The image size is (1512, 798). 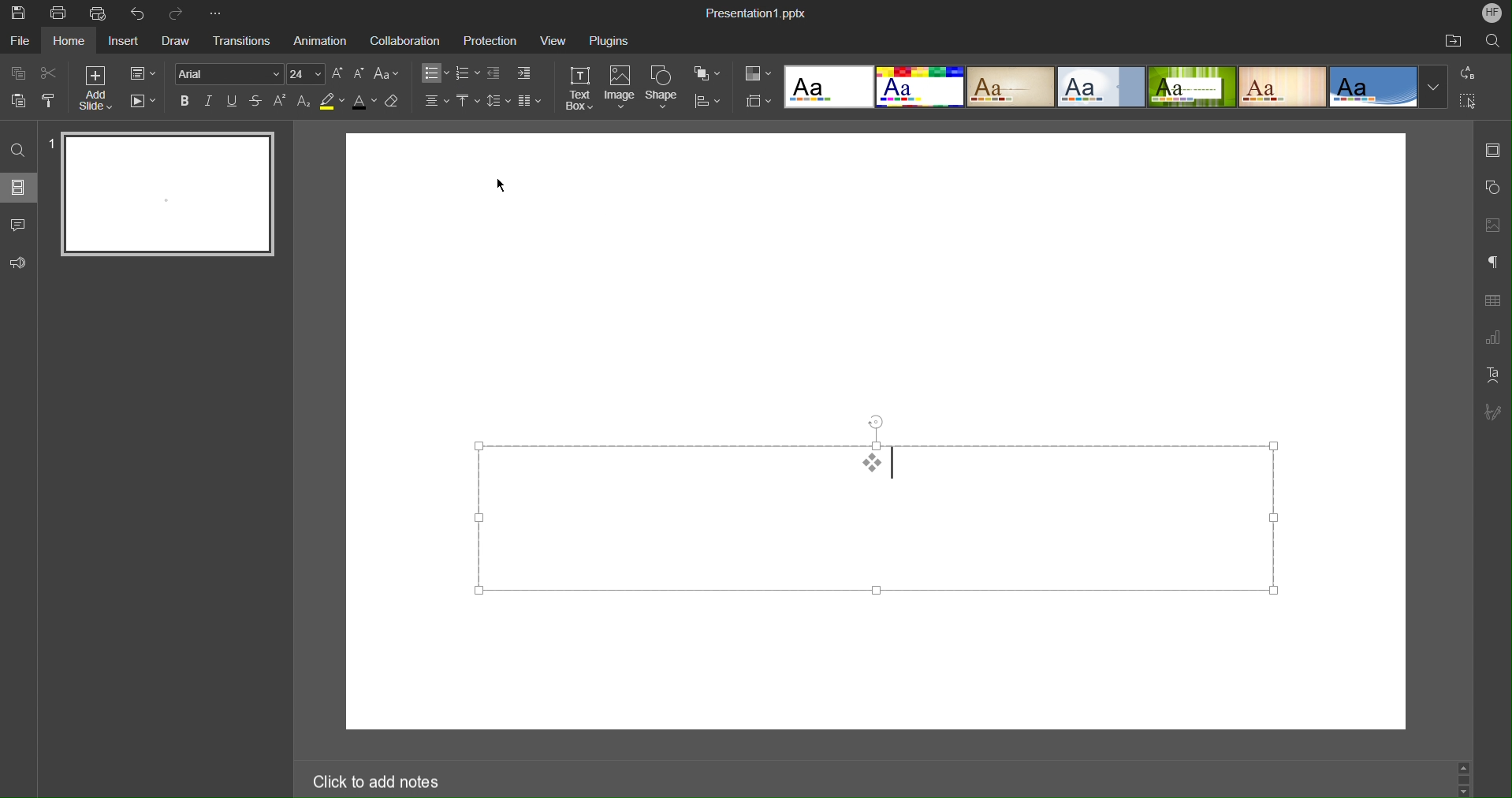 I want to click on More, so click(x=222, y=13).